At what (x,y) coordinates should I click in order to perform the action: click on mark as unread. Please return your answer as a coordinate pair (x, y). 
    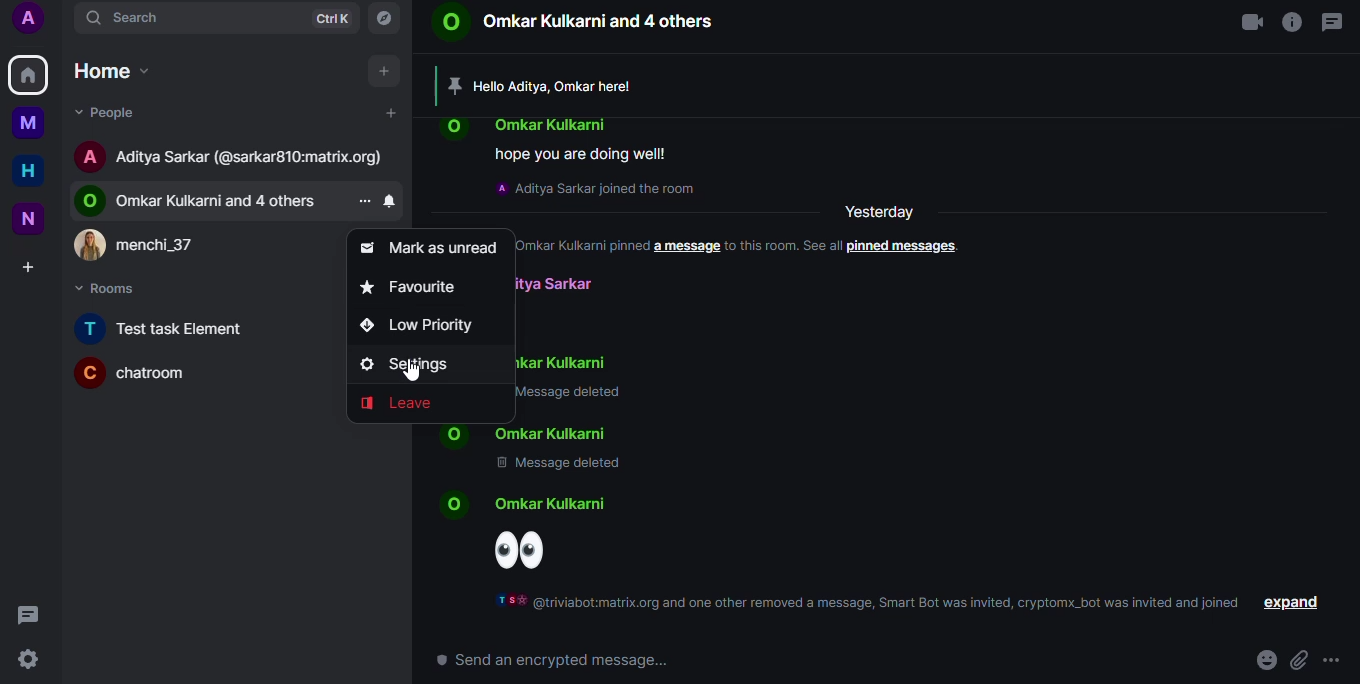
    Looking at the image, I should click on (431, 247).